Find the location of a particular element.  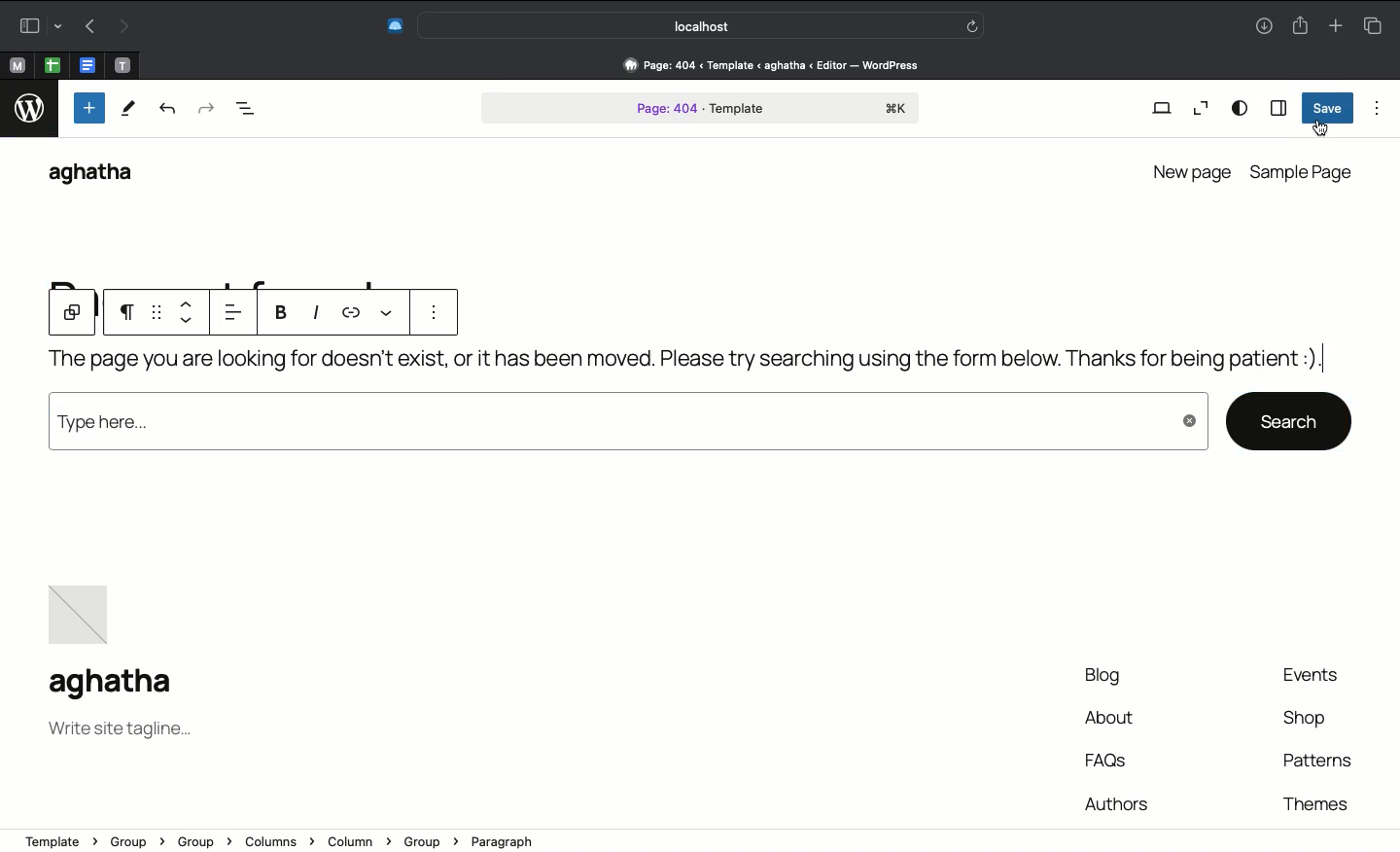

Events is located at coordinates (1320, 676).